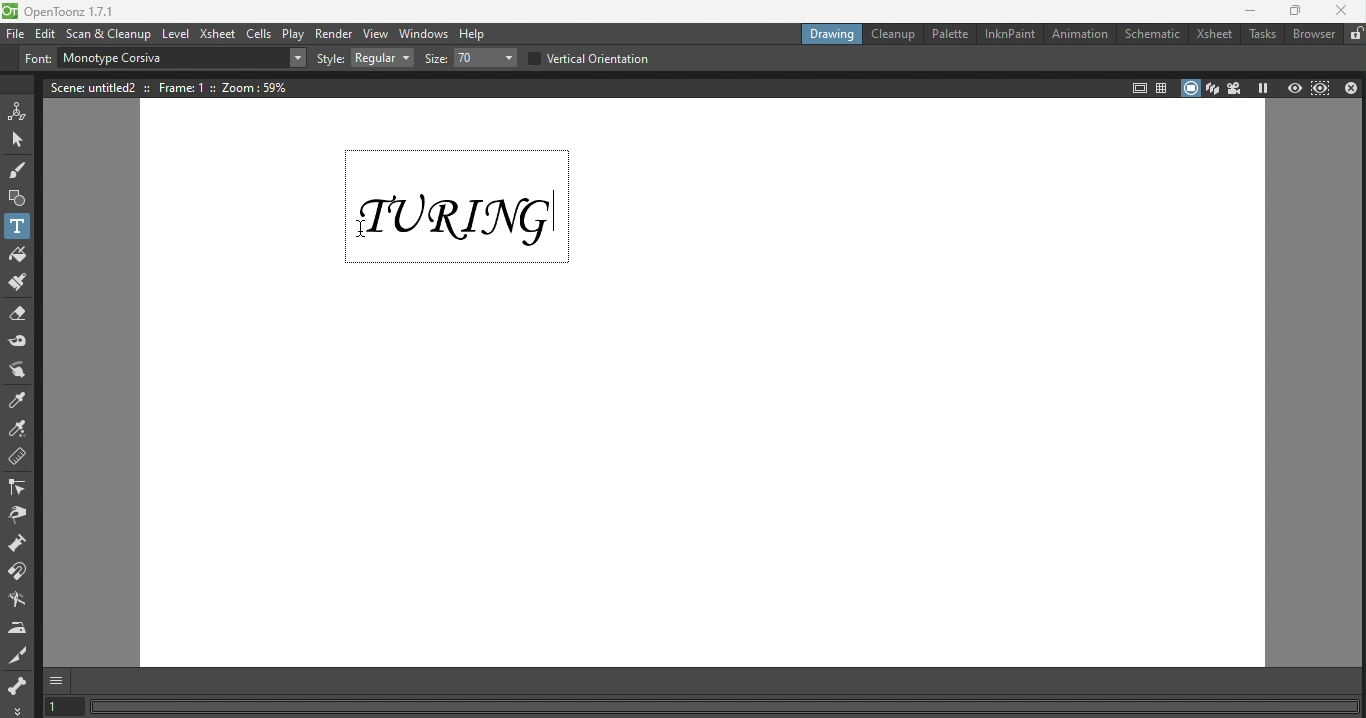 The width and height of the screenshot is (1366, 718). I want to click on Edit, so click(47, 33).